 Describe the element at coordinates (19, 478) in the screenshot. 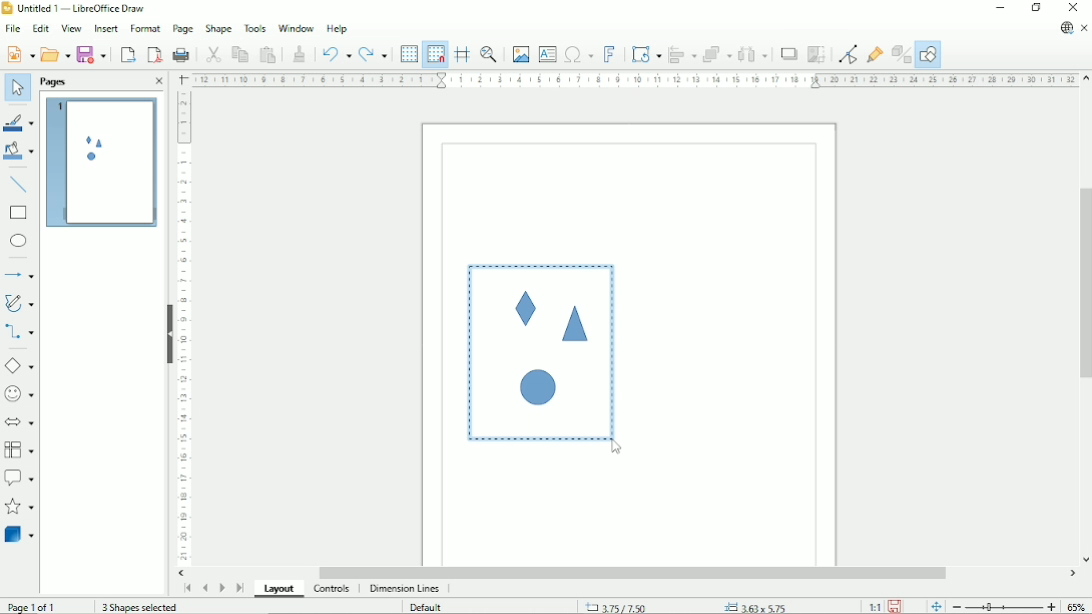

I see `Callout` at that location.